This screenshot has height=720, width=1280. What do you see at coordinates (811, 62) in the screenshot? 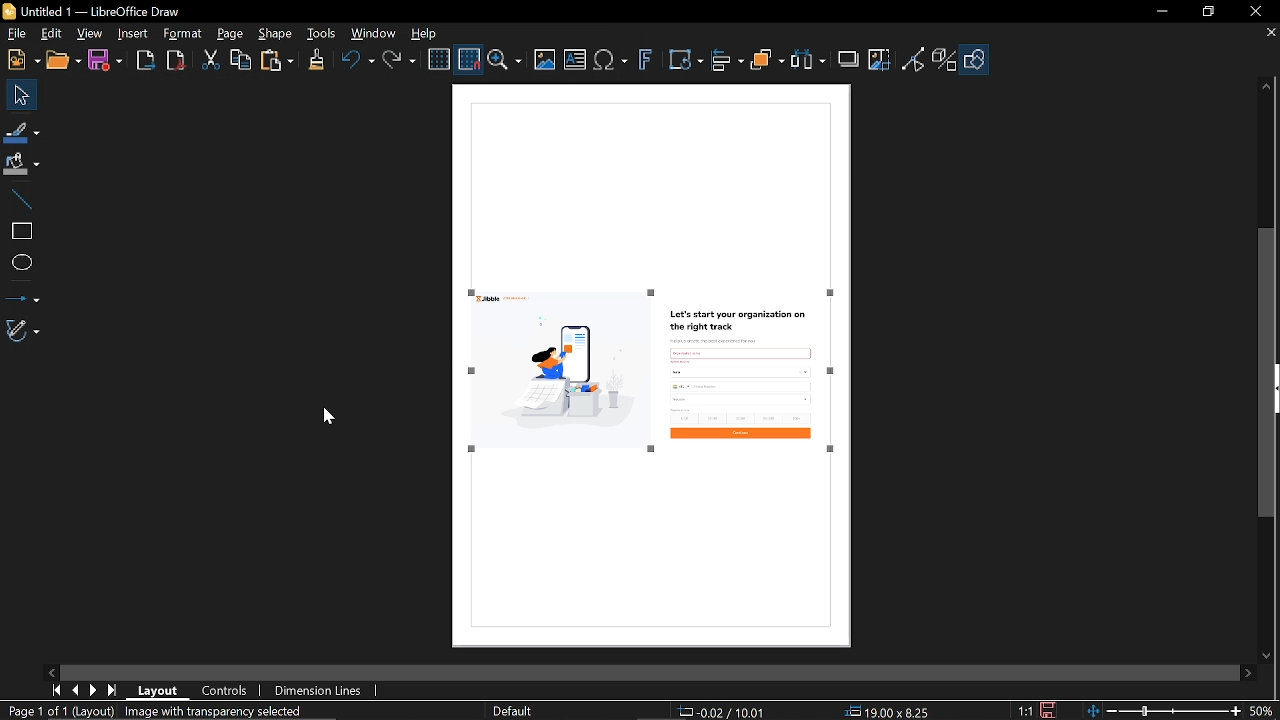
I see `Select at least three objects to distribute` at bounding box center [811, 62].